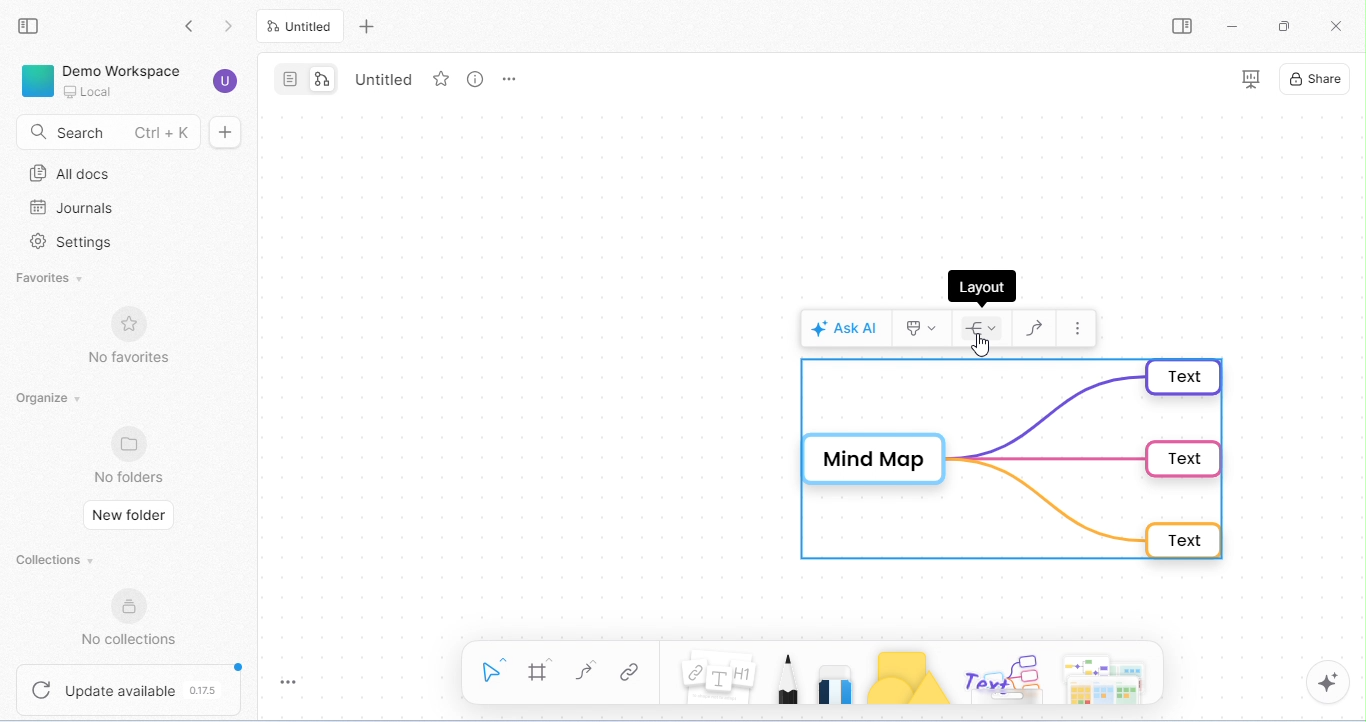 Image resolution: width=1366 pixels, height=722 pixels. What do you see at coordinates (628, 674) in the screenshot?
I see `link` at bounding box center [628, 674].